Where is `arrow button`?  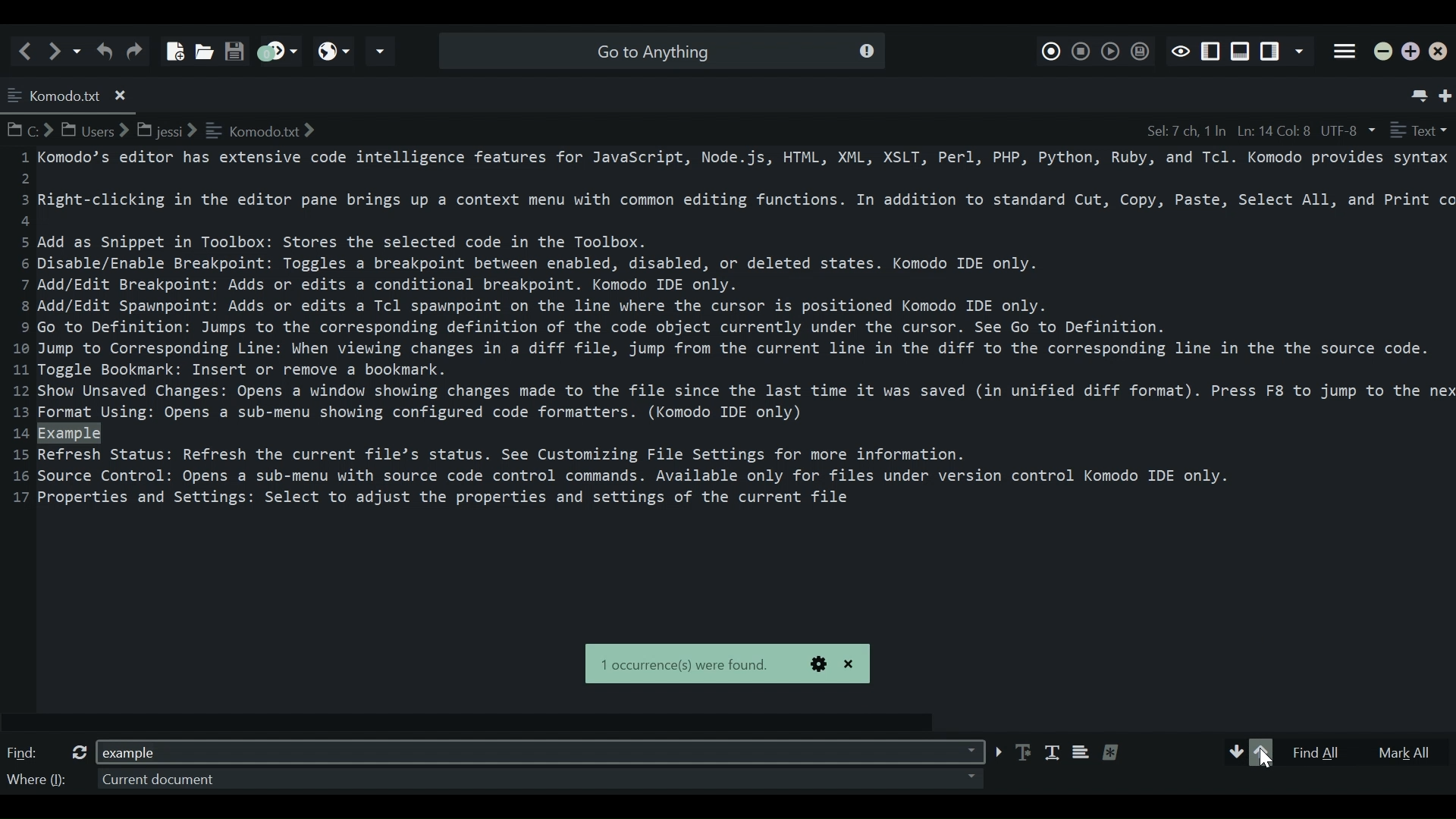
arrow button is located at coordinates (996, 752).